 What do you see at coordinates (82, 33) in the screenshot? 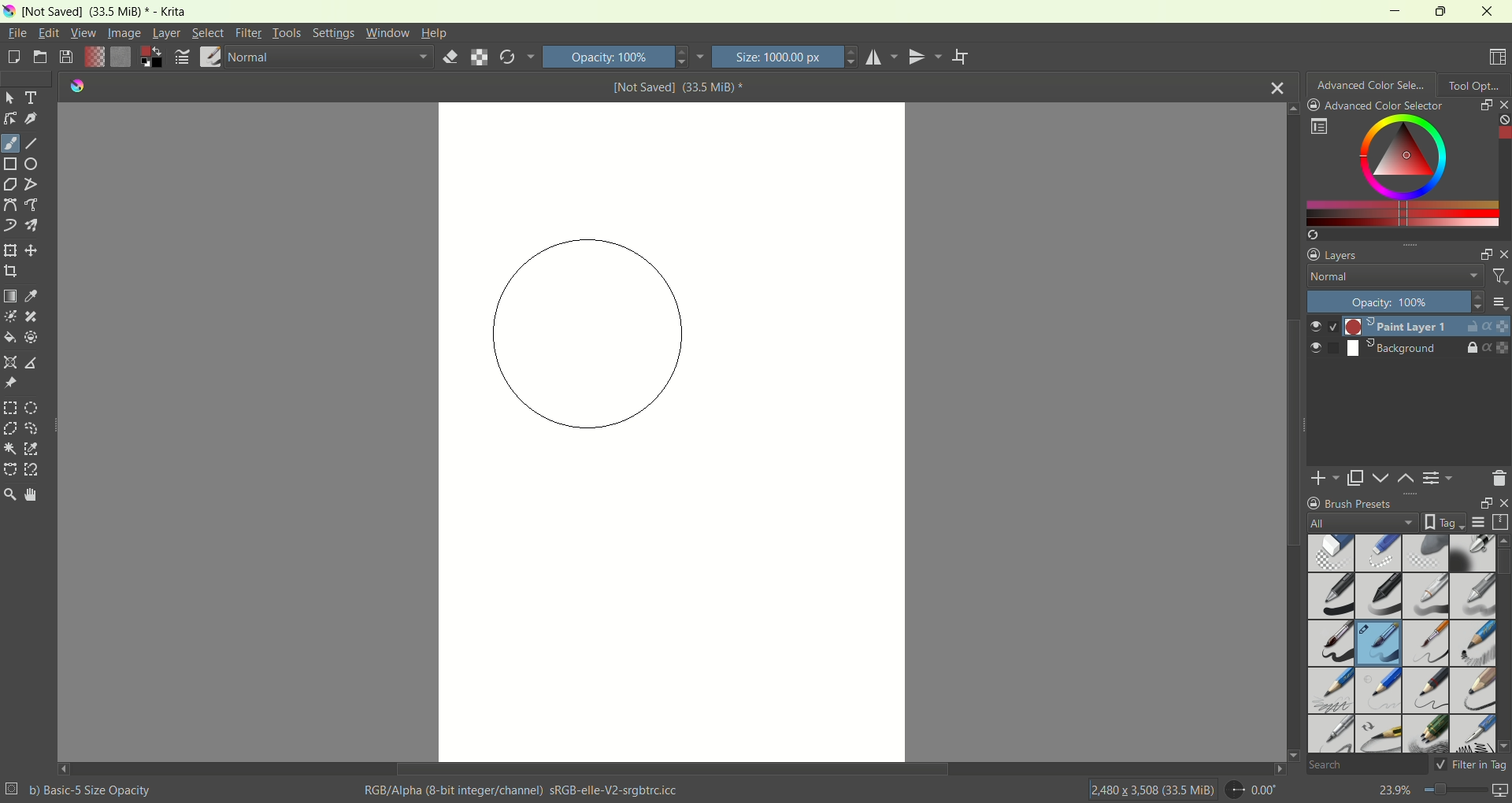
I see `view` at bounding box center [82, 33].